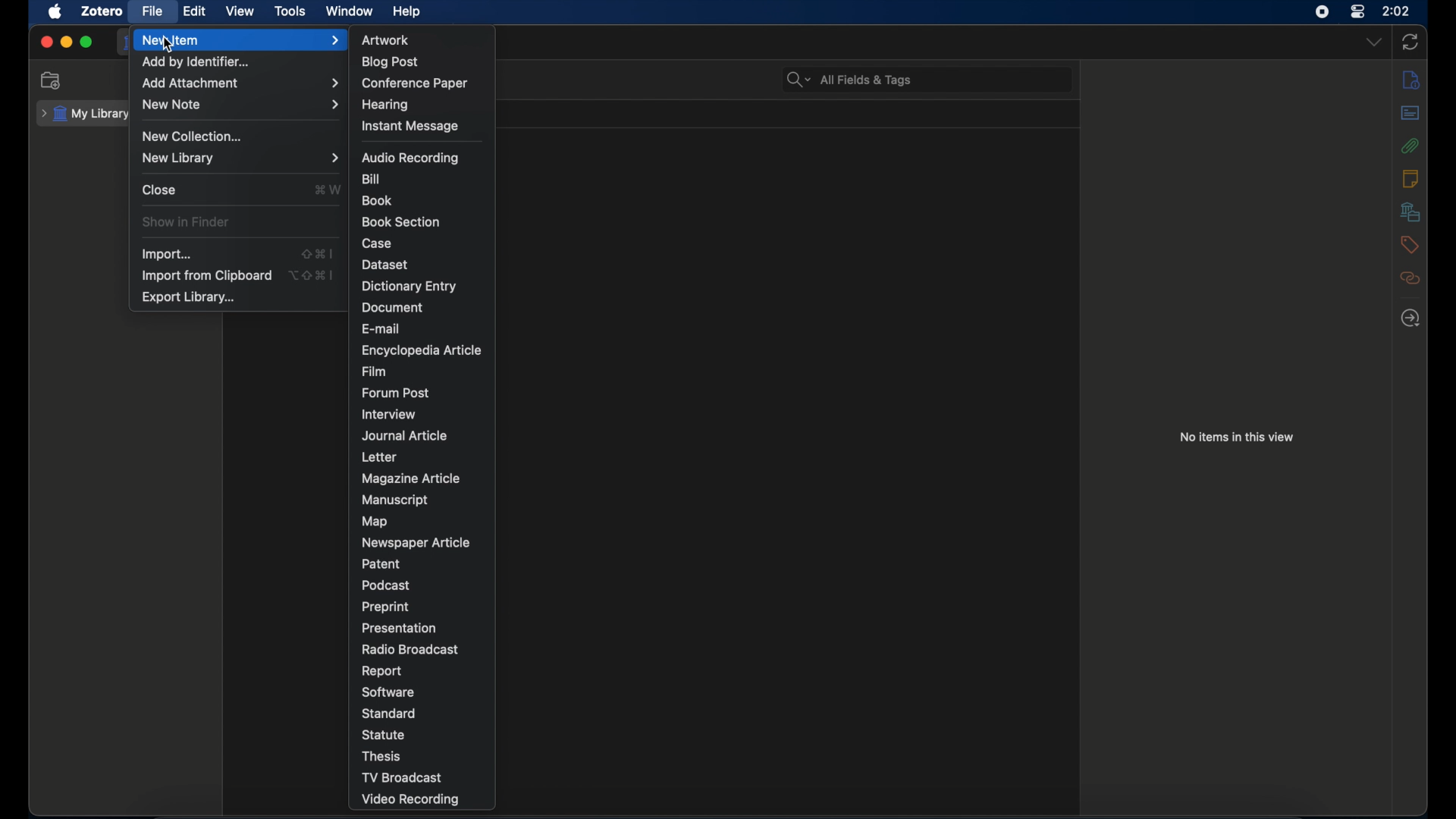  Describe the element at coordinates (241, 105) in the screenshot. I see `new note` at that location.